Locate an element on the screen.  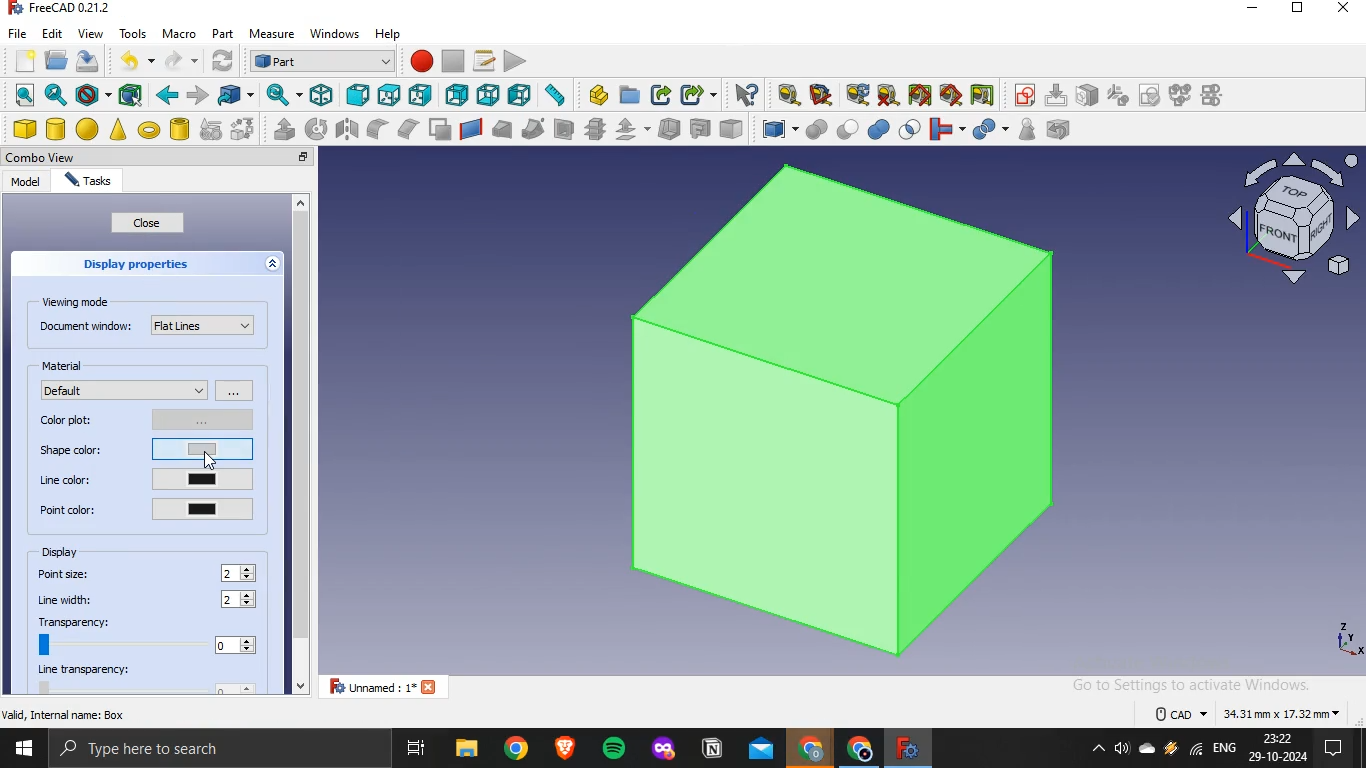
axes icons is located at coordinates (1347, 638).